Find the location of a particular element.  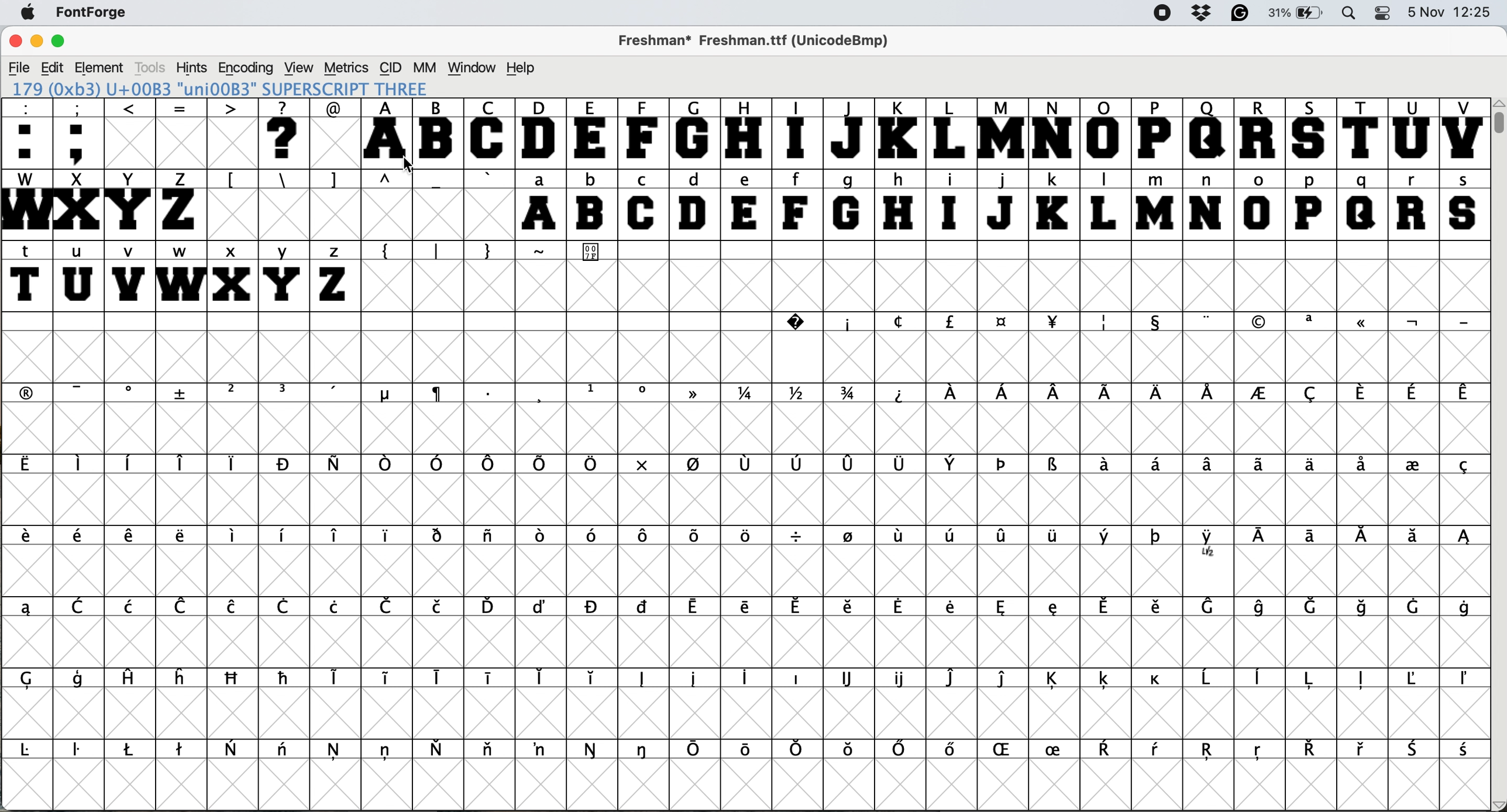

symbol is located at coordinates (1210, 545).